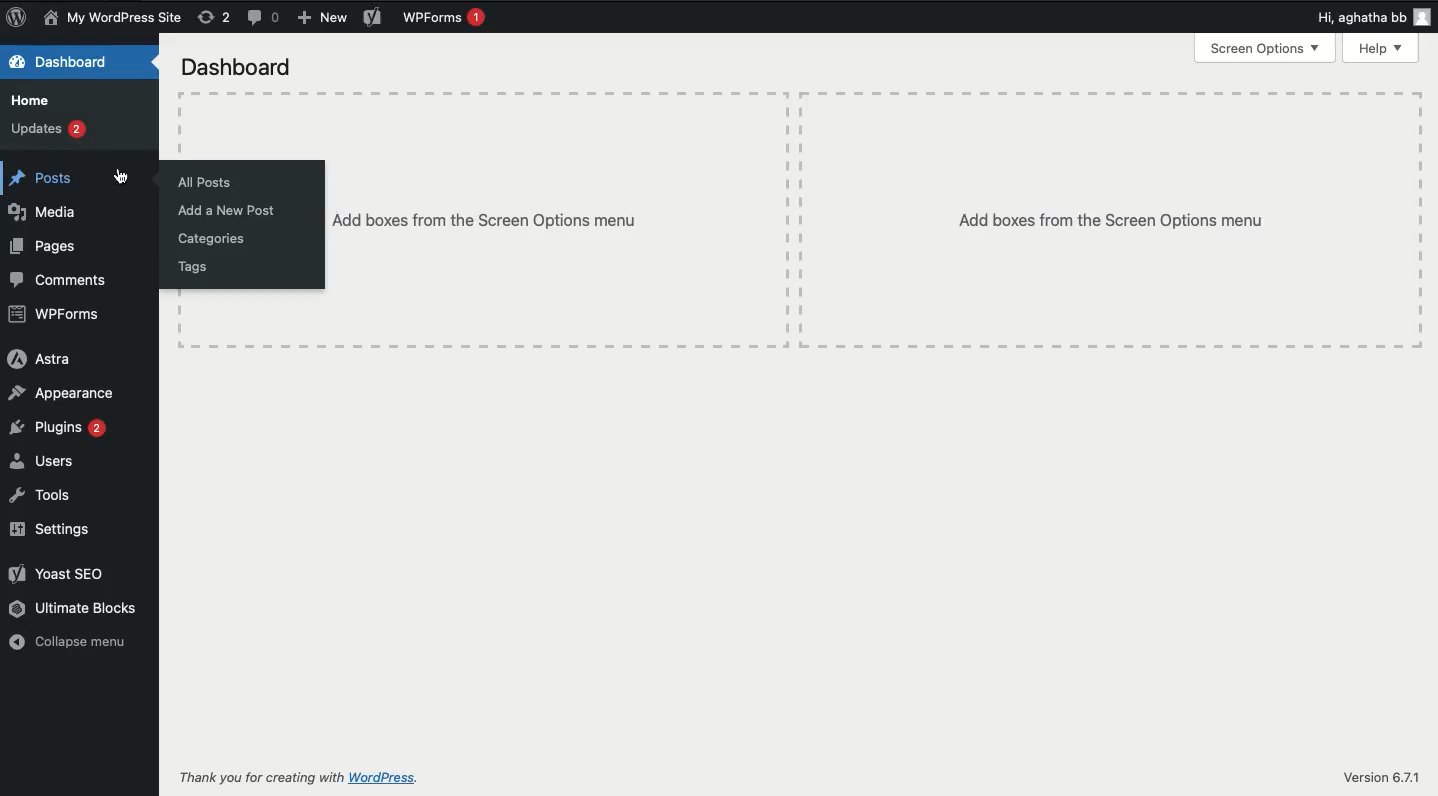  I want to click on Plugins, so click(59, 427).